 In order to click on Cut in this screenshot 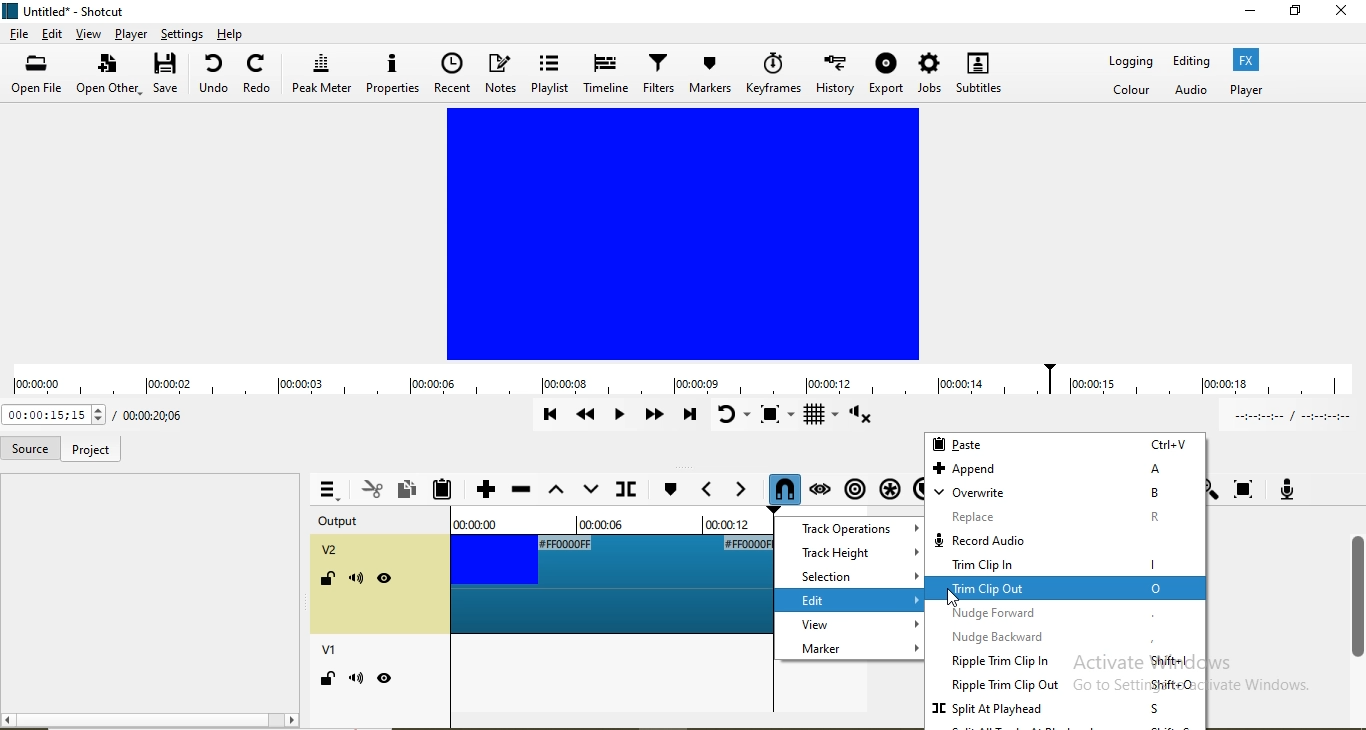, I will do `click(371, 489)`.